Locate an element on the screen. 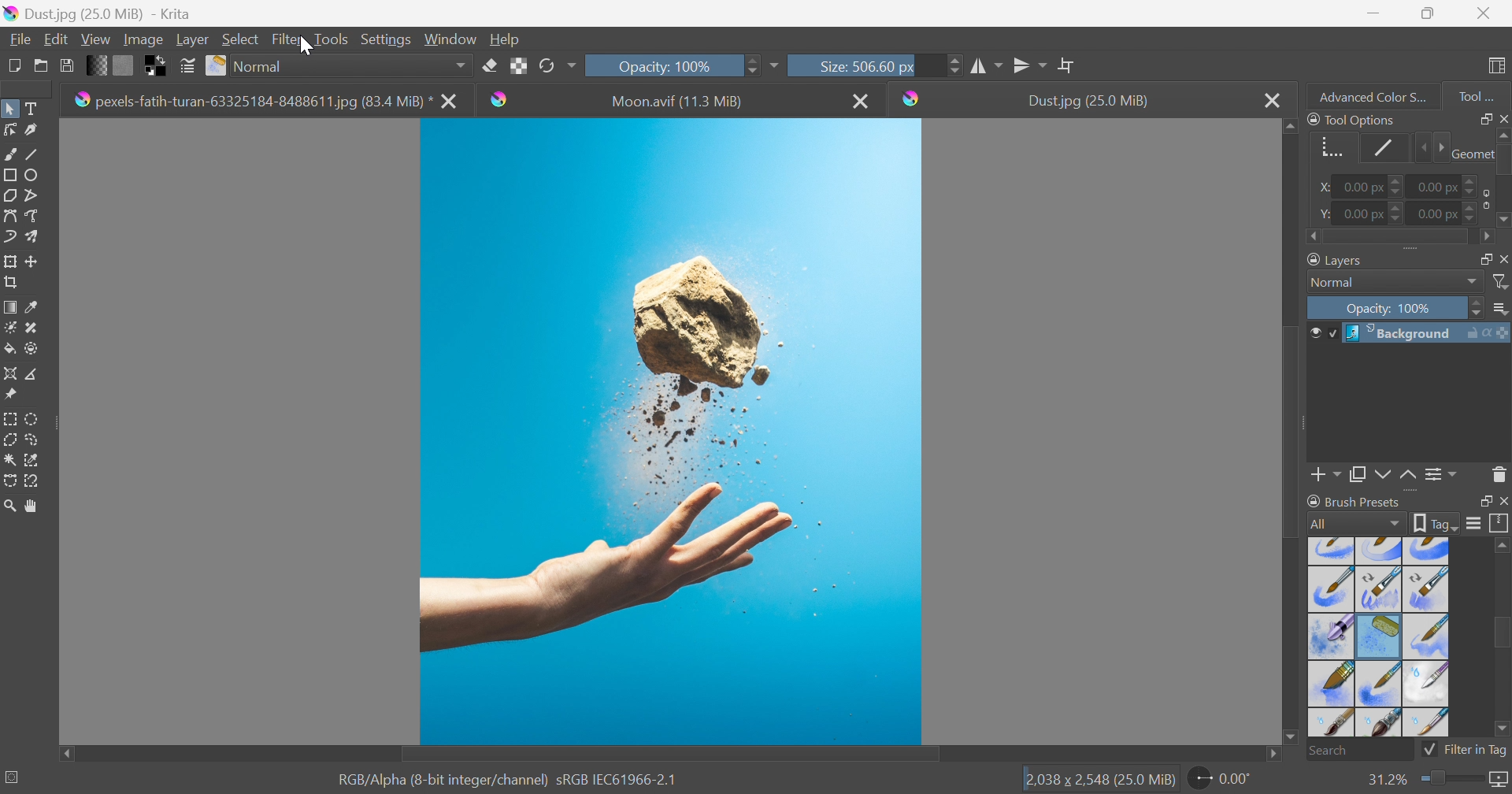 The width and height of the screenshot is (1512, 794). Opacity: 100% is located at coordinates (1392, 310).